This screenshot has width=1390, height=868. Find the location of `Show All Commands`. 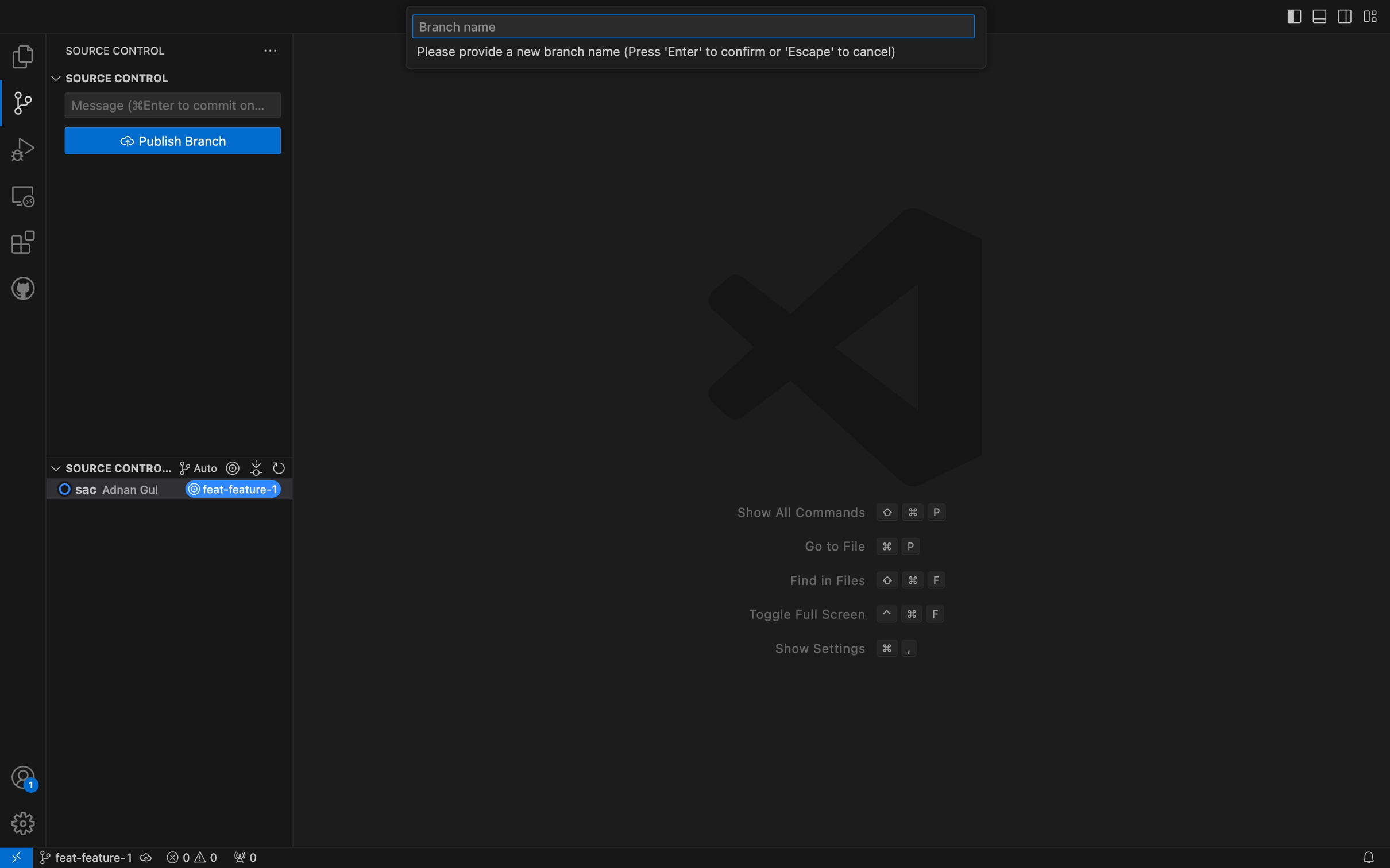

Show All Commands is located at coordinates (796, 513).